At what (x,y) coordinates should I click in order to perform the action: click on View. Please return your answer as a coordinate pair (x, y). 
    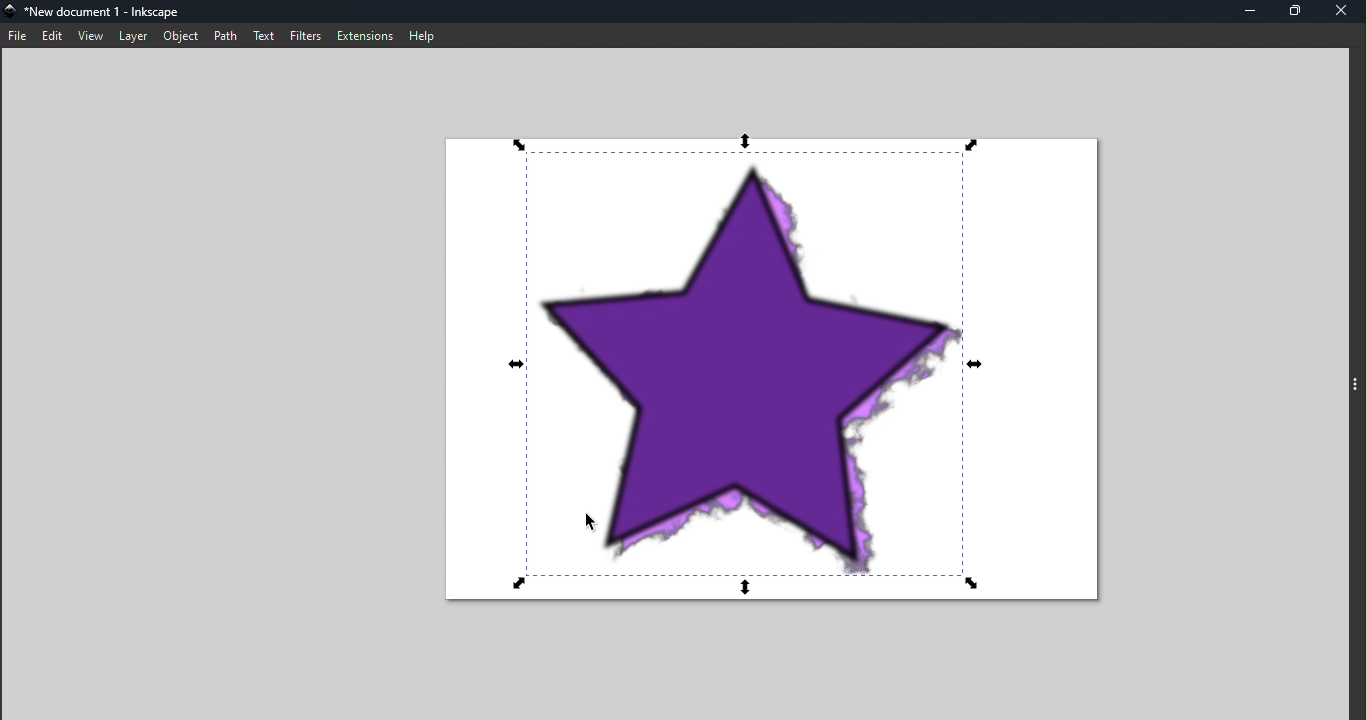
    Looking at the image, I should click on (90, 35).